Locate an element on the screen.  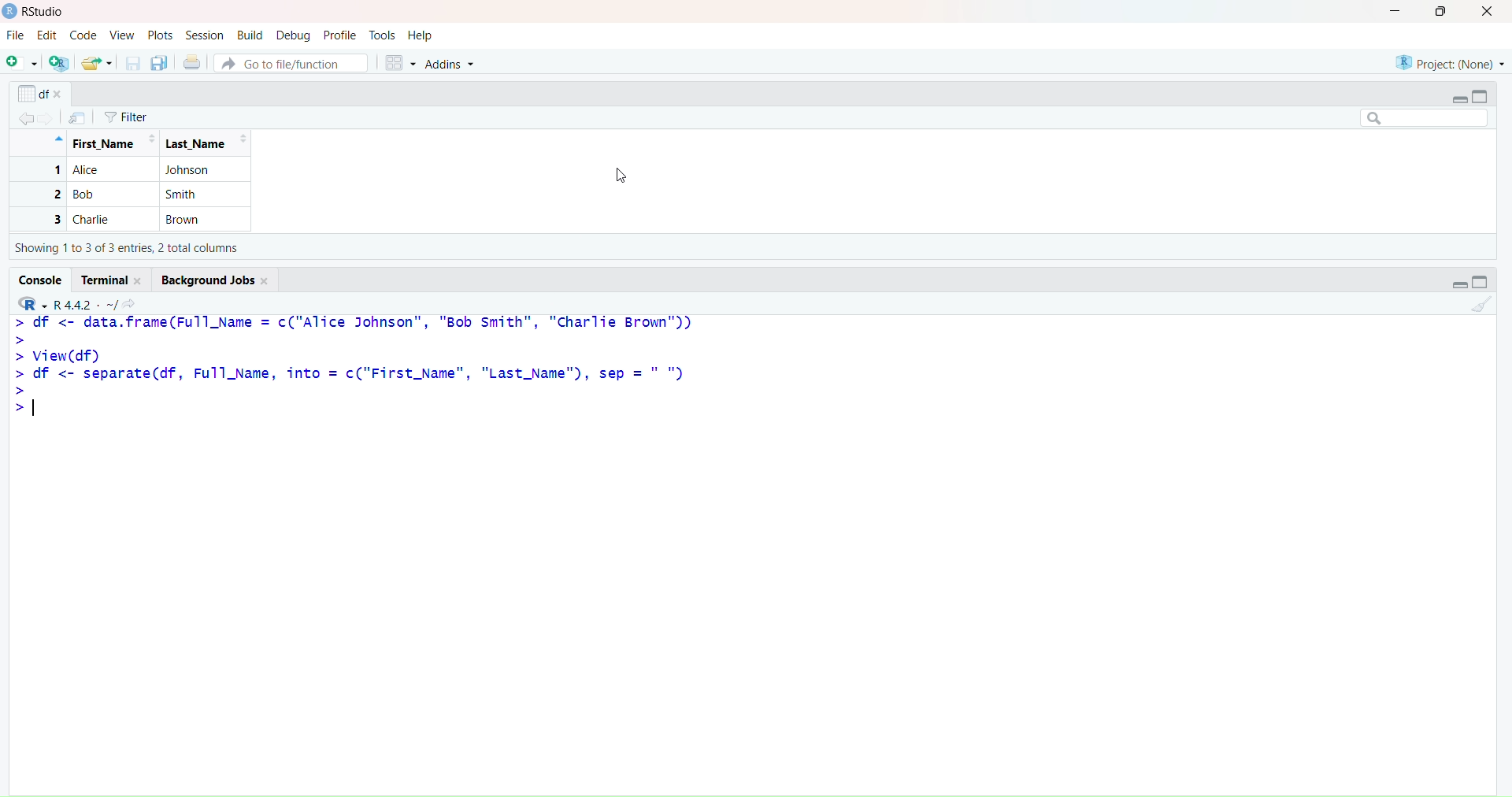
Save current document (Ctrl + S) is located at coordinates (132, 64).